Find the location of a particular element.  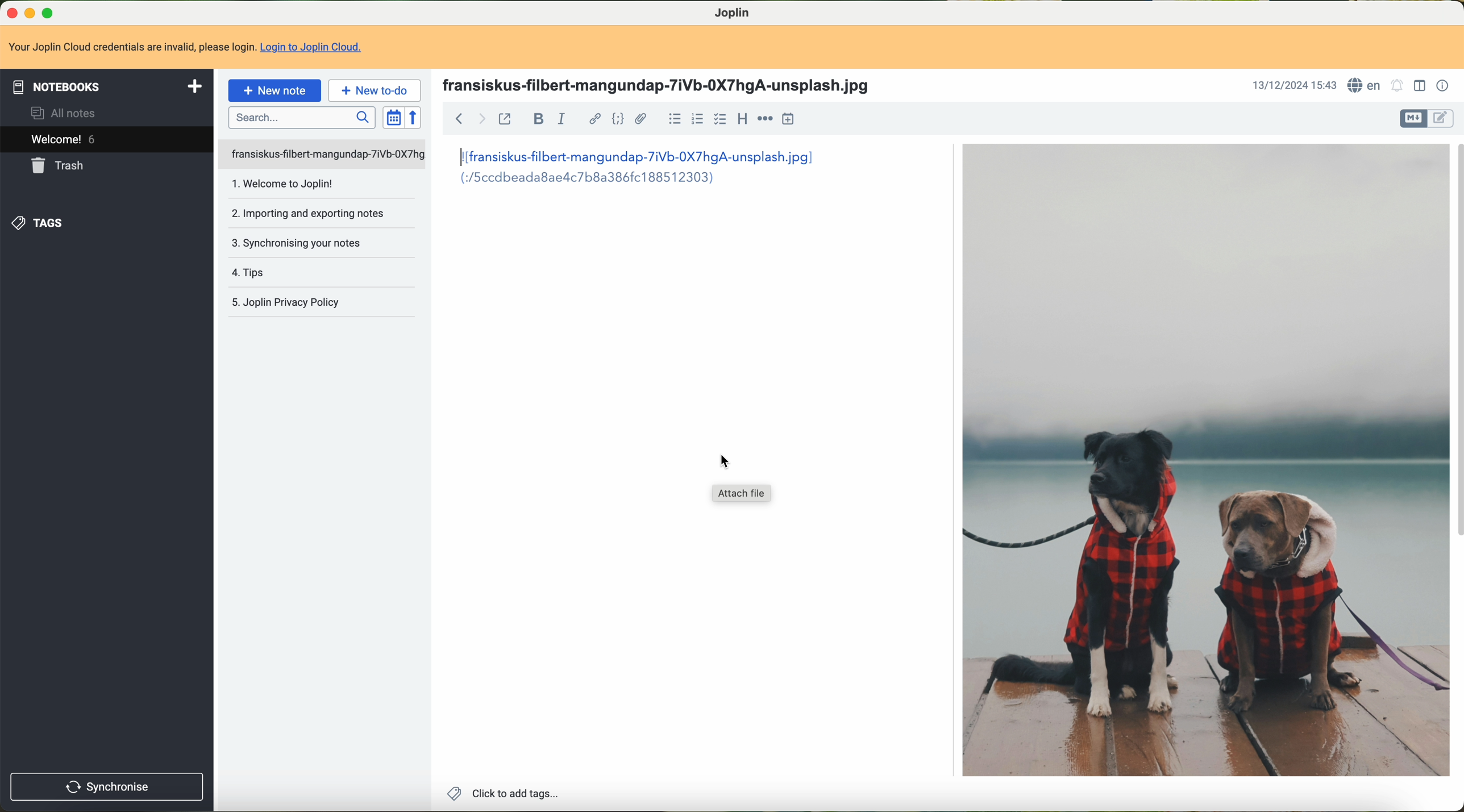

welcome to joplin is located at coordinates (280, 184).